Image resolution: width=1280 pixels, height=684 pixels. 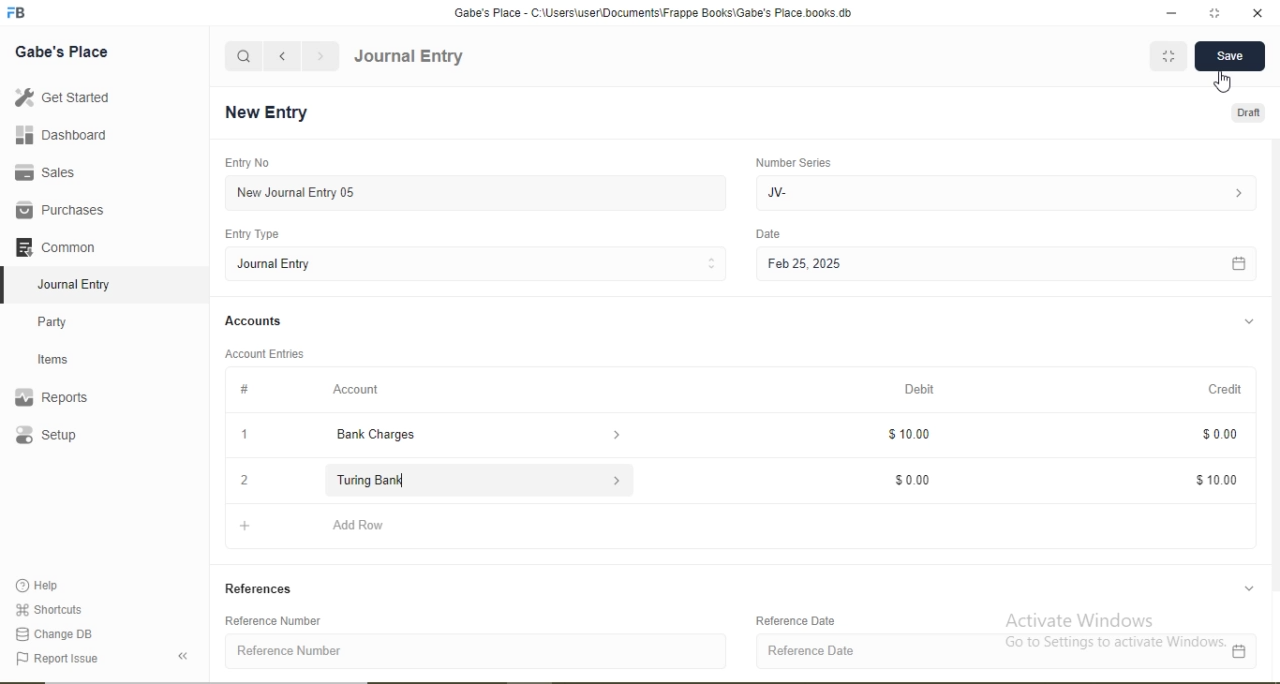 I want to click on Reference Date, so click(x=1006, y=652).